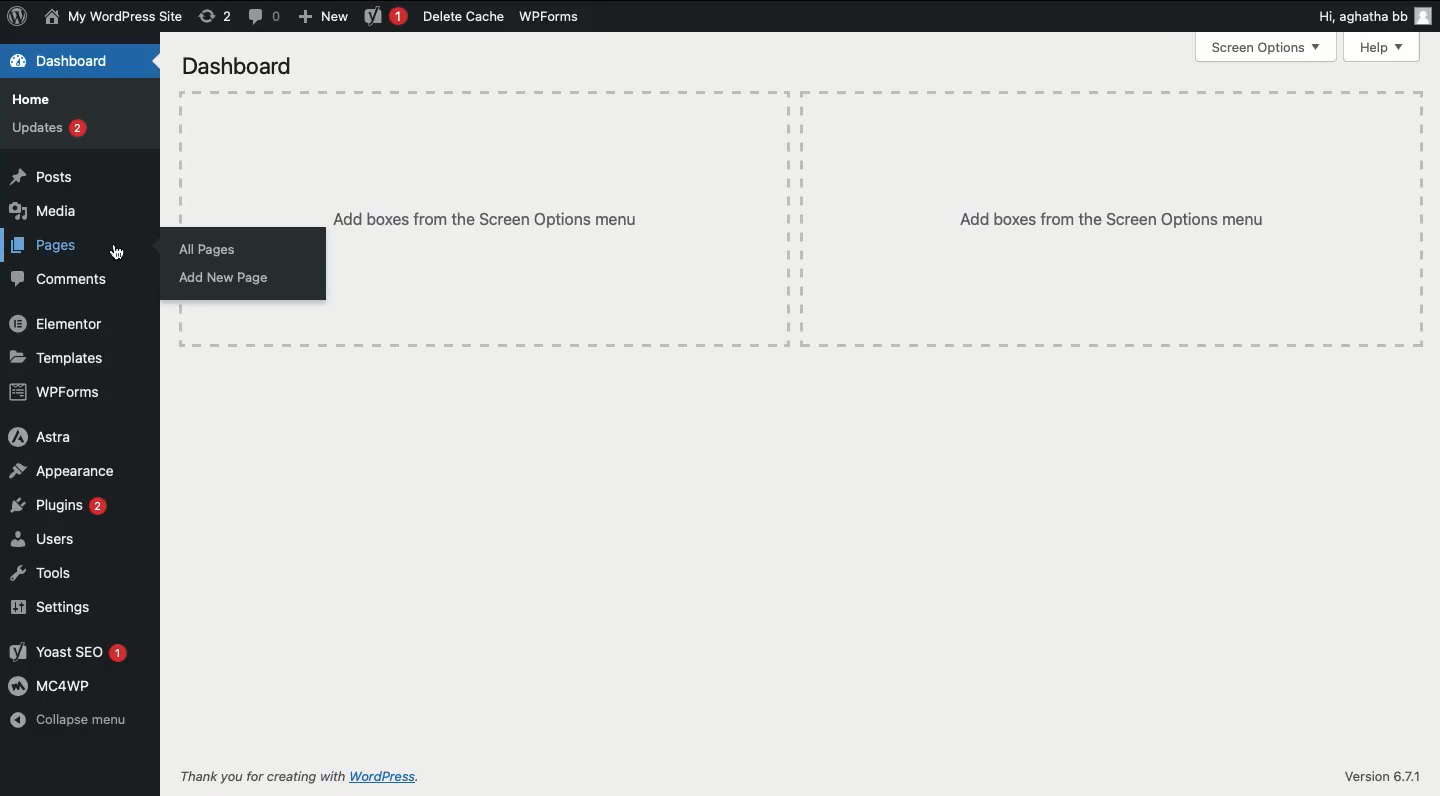 The image size is (1440, 796). I want to click on Home, so click(32, 100).